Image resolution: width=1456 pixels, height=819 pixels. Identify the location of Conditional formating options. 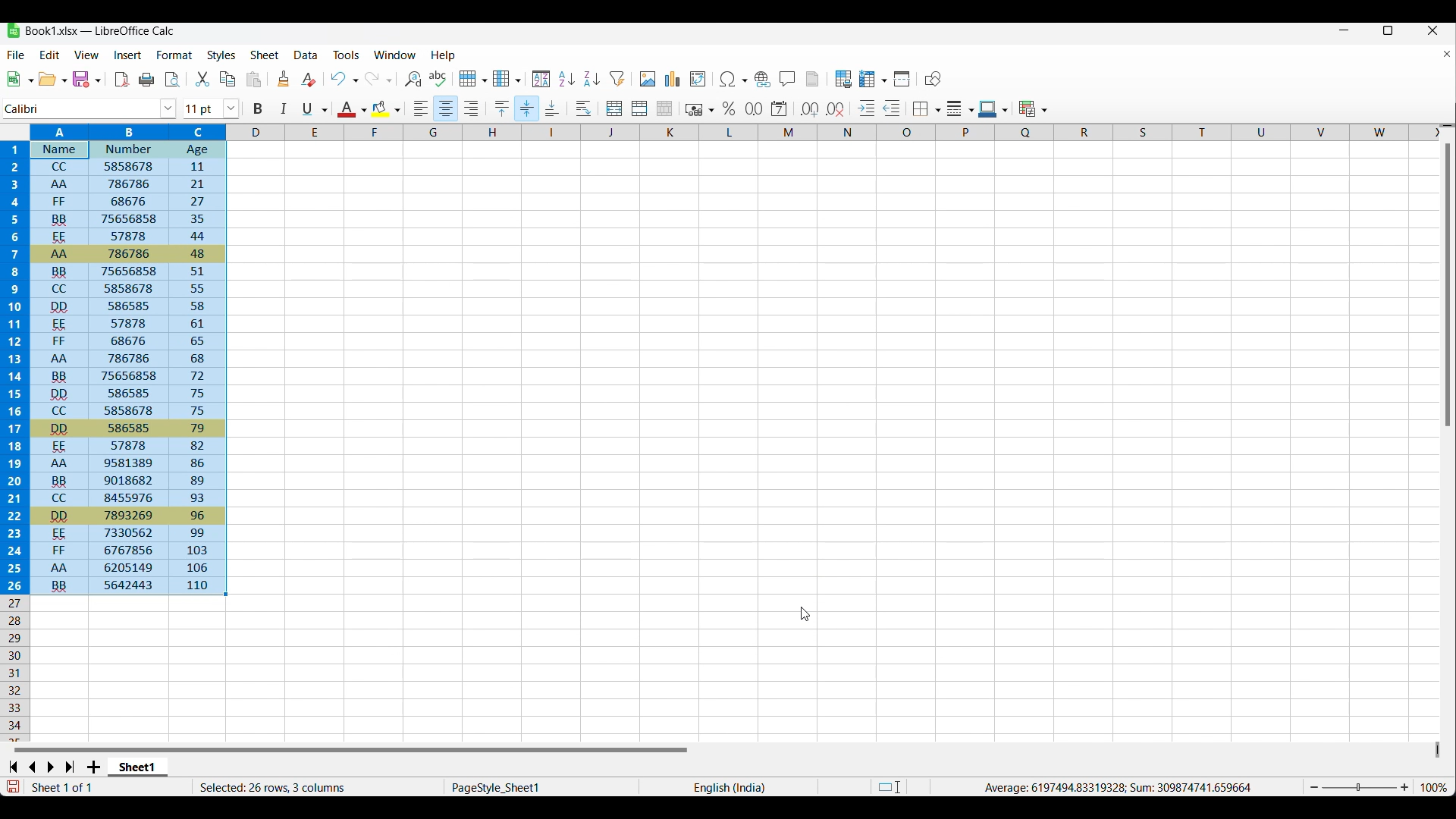
(1033, 108).